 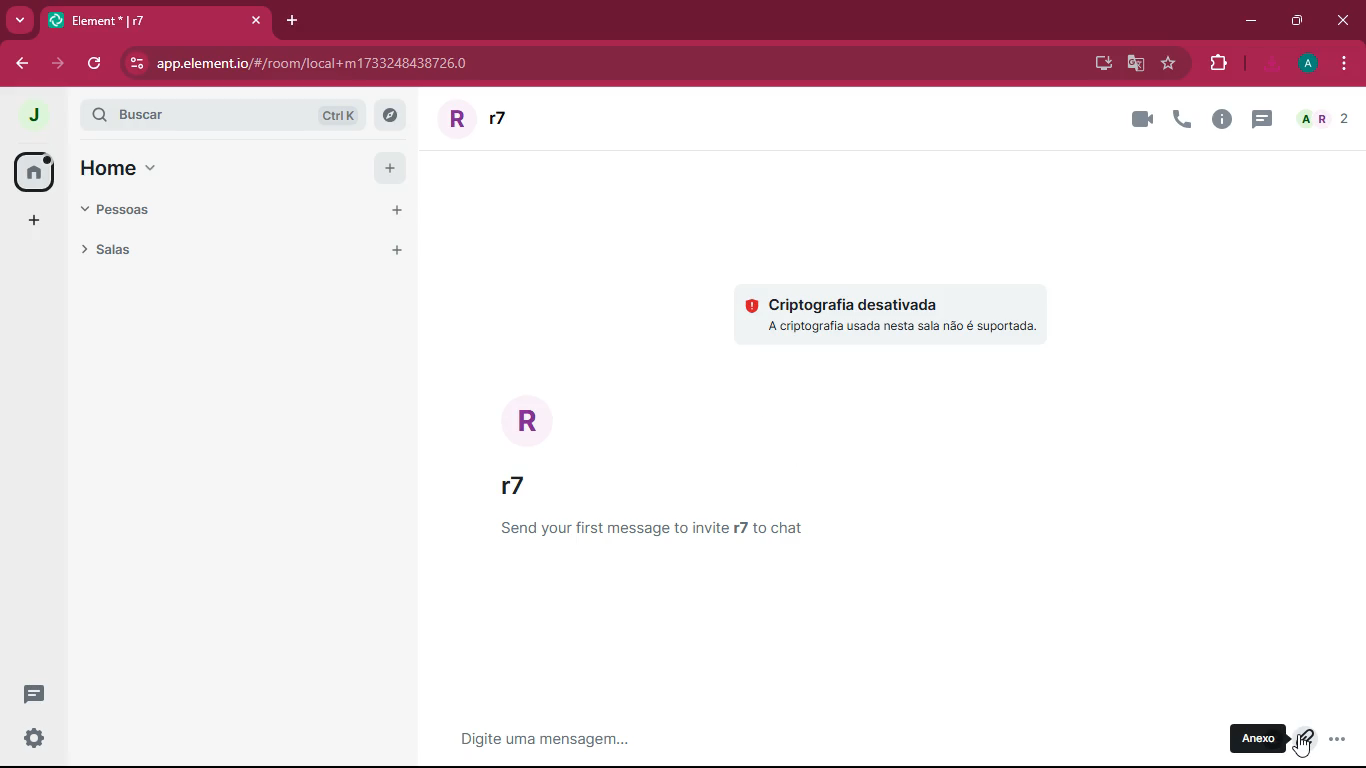 I want to click on desktop, so click(x=1098, y=64).